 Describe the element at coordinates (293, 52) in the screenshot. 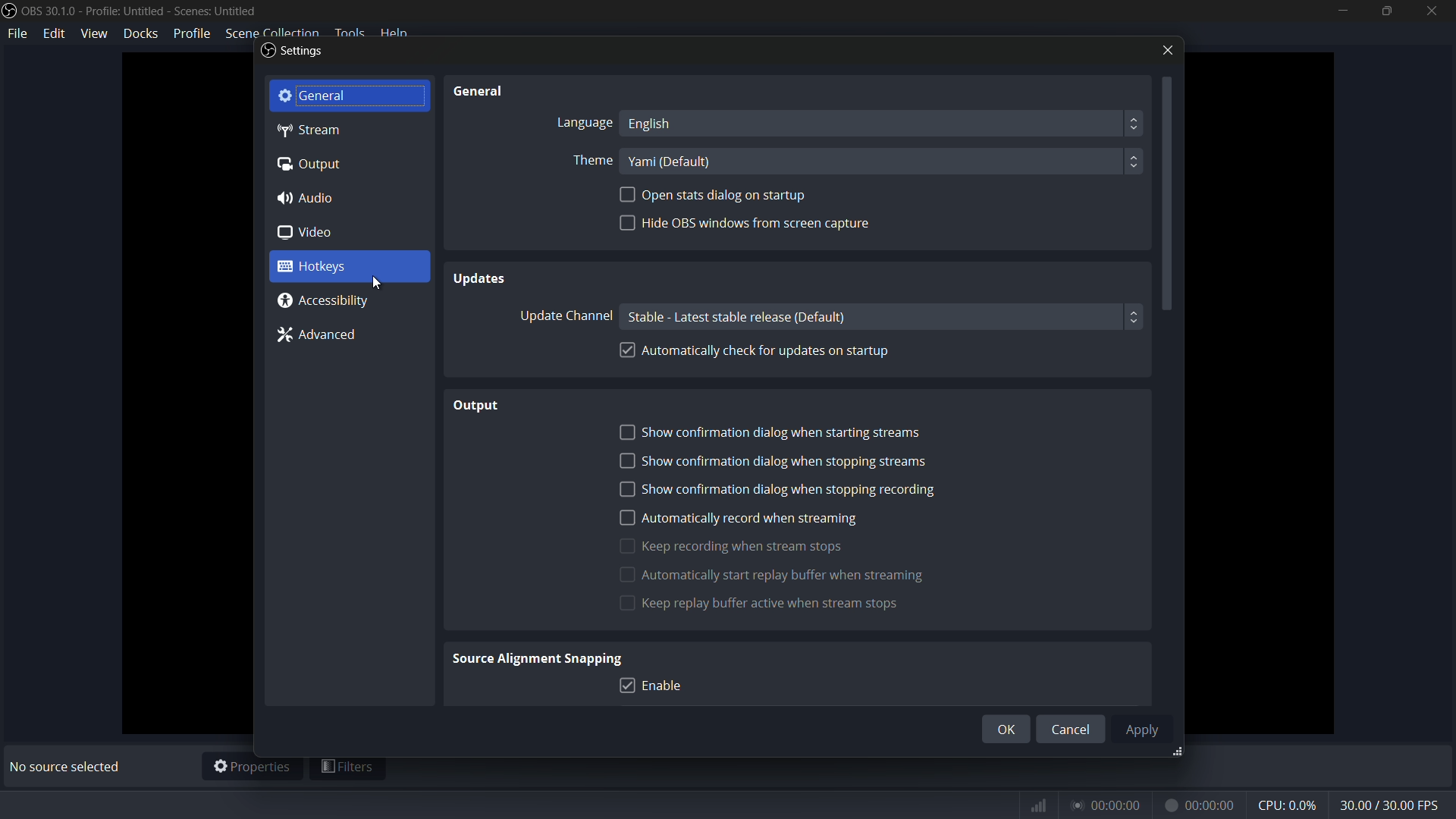

I see `settings` at that location.